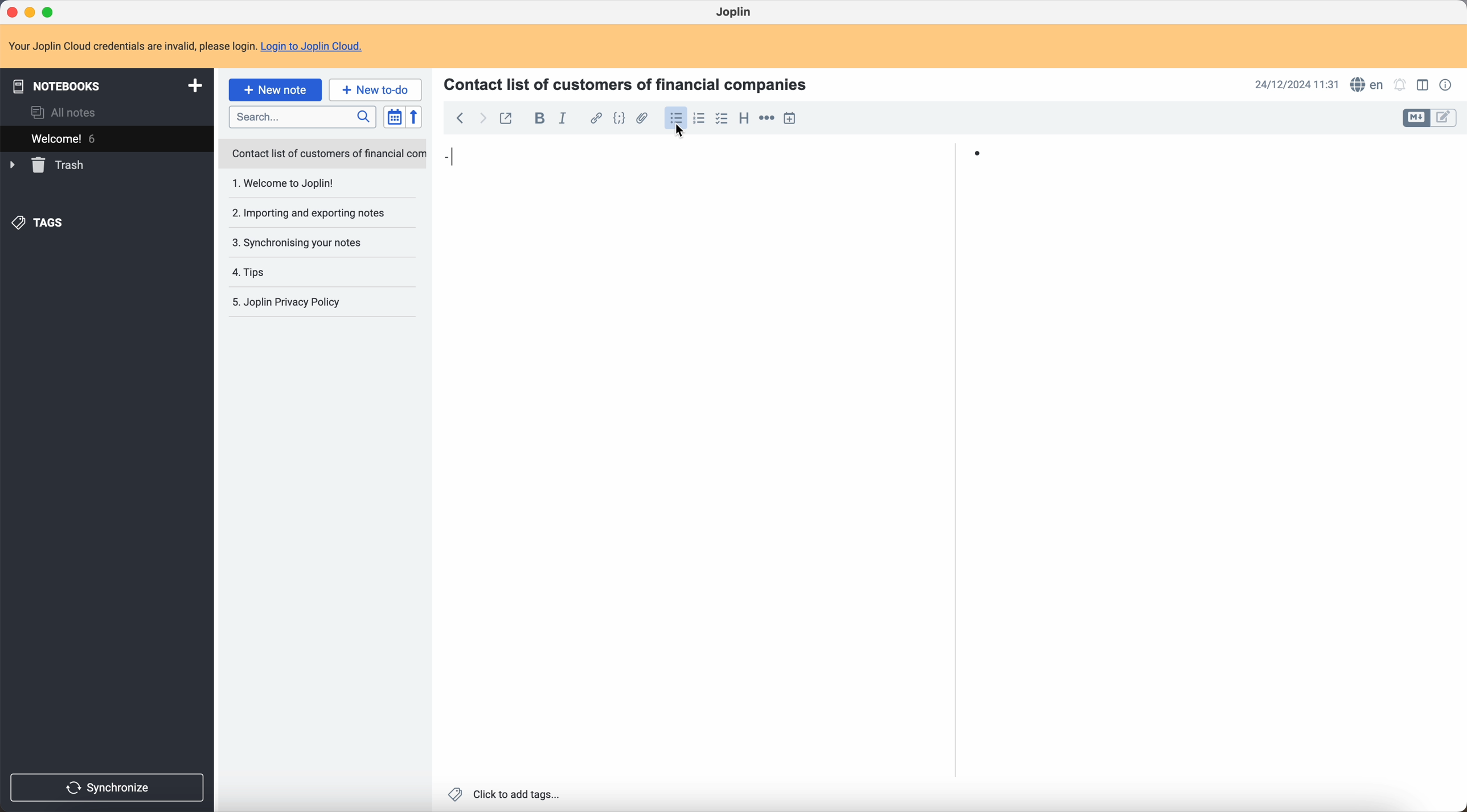 The height and width of the screenshot is (812, 1467). Describe the element at coordinates (483, 119) in the screenshot. I see `foward` at that location.